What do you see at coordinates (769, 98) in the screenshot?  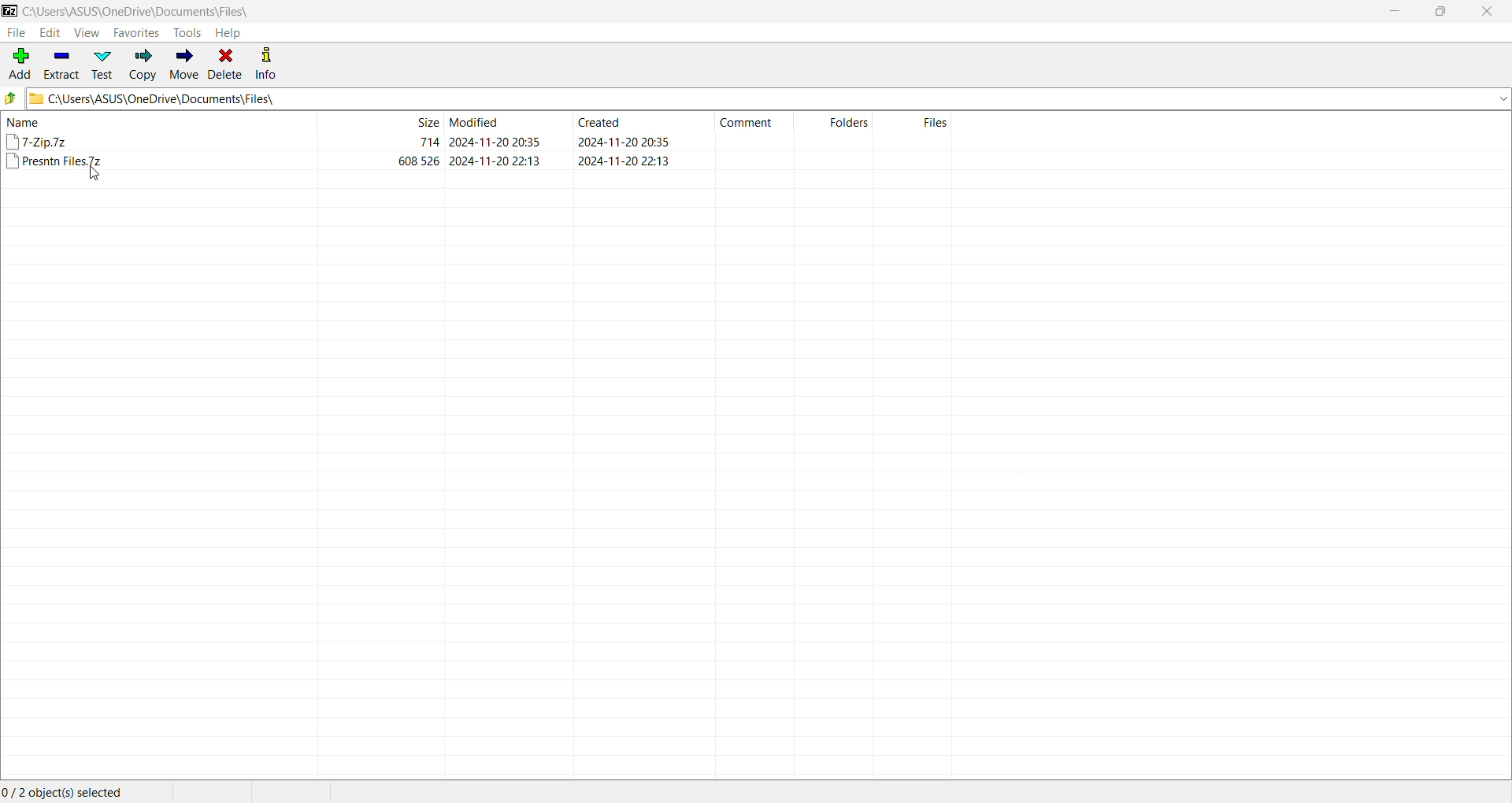 I see `Current Folder Path` at bounding box center [769, 98].